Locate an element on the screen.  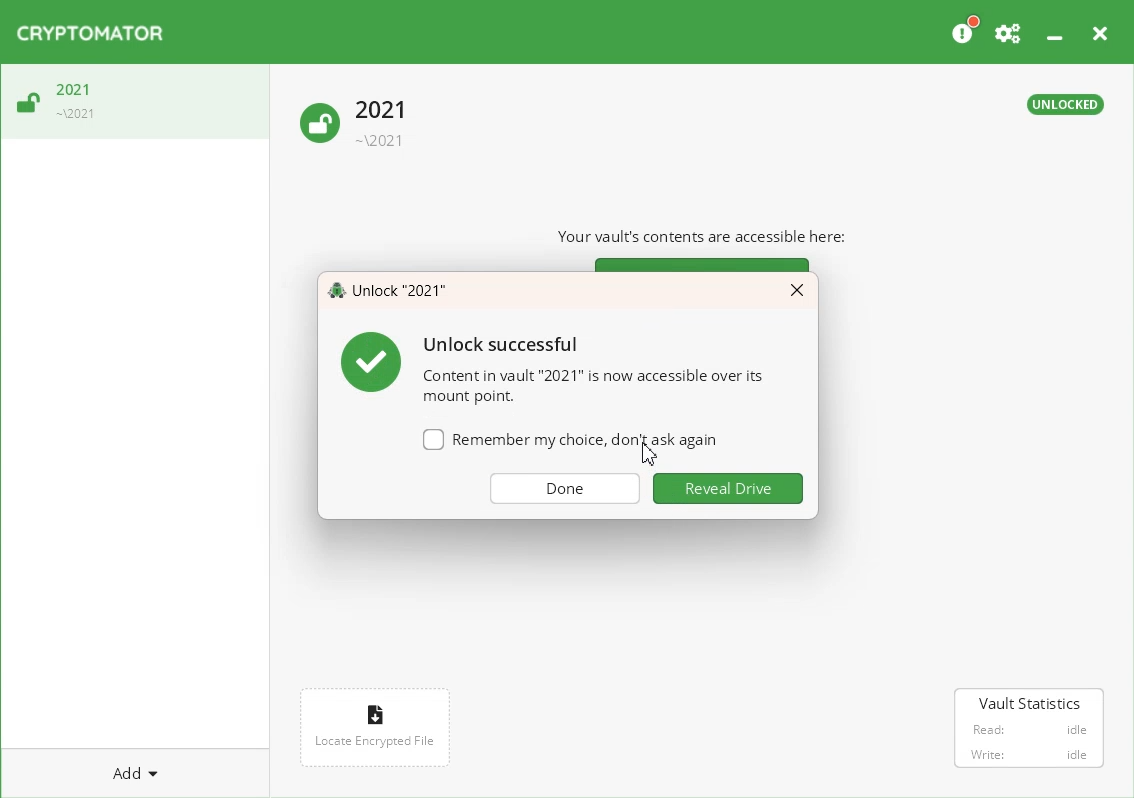
Unlock Vault is located at coordinates (135, 103).